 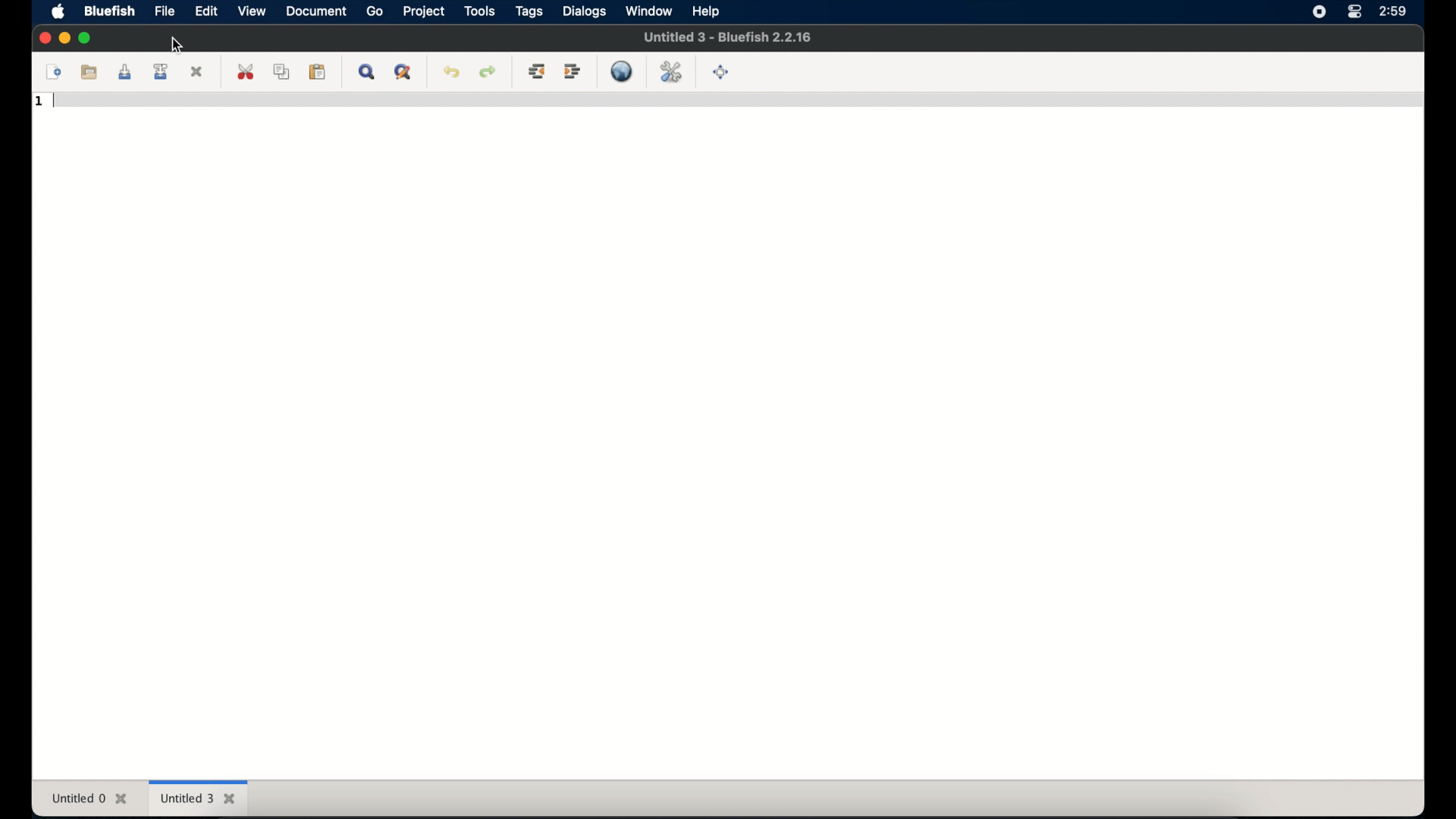 What do you see at coordinates (89, 72) in the screenshot?
I see `open file` at bounding box center [89, 72].